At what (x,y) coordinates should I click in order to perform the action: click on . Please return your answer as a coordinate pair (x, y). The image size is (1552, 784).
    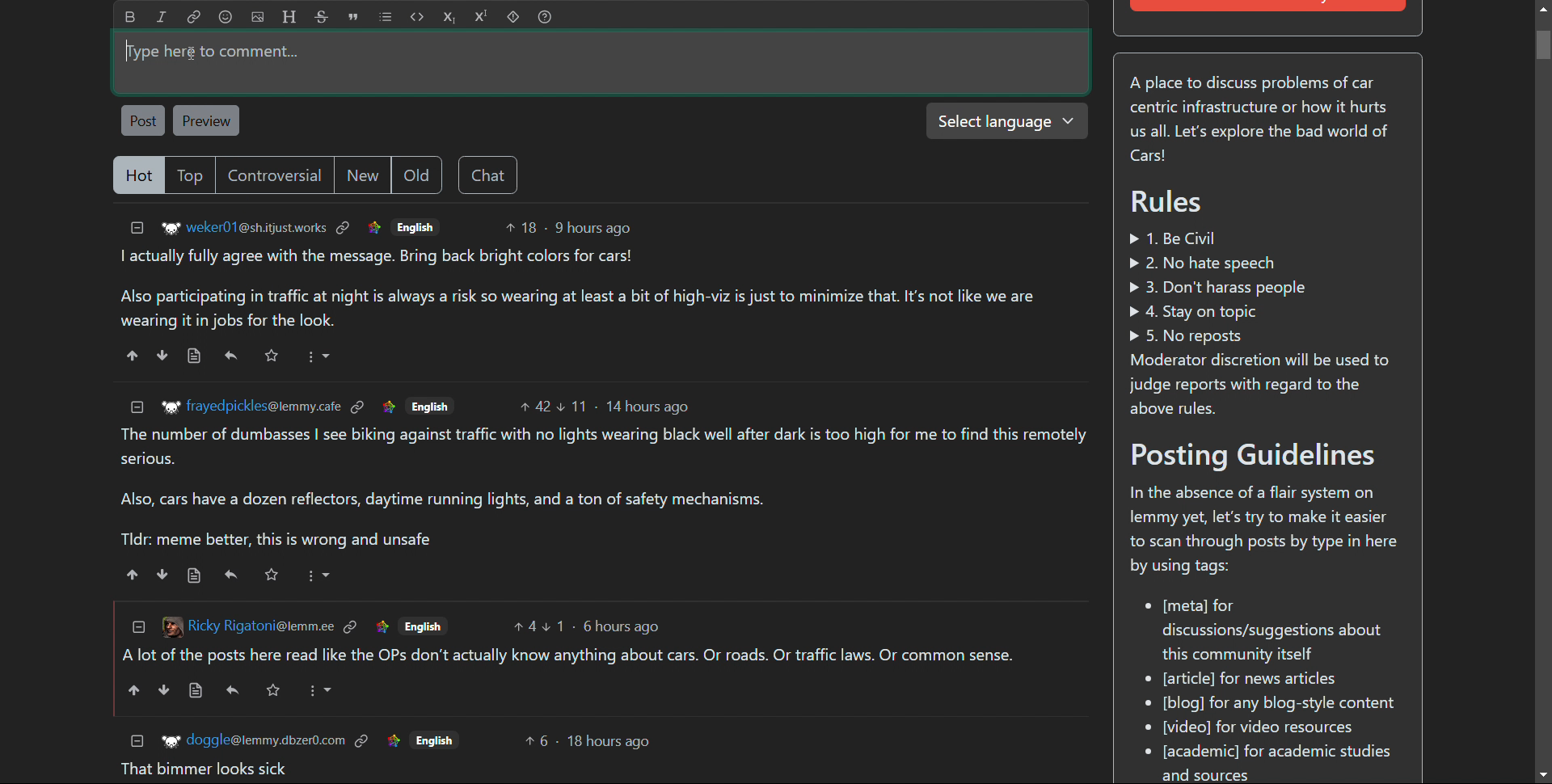
    Looking at the image, I should click on (436, 739).